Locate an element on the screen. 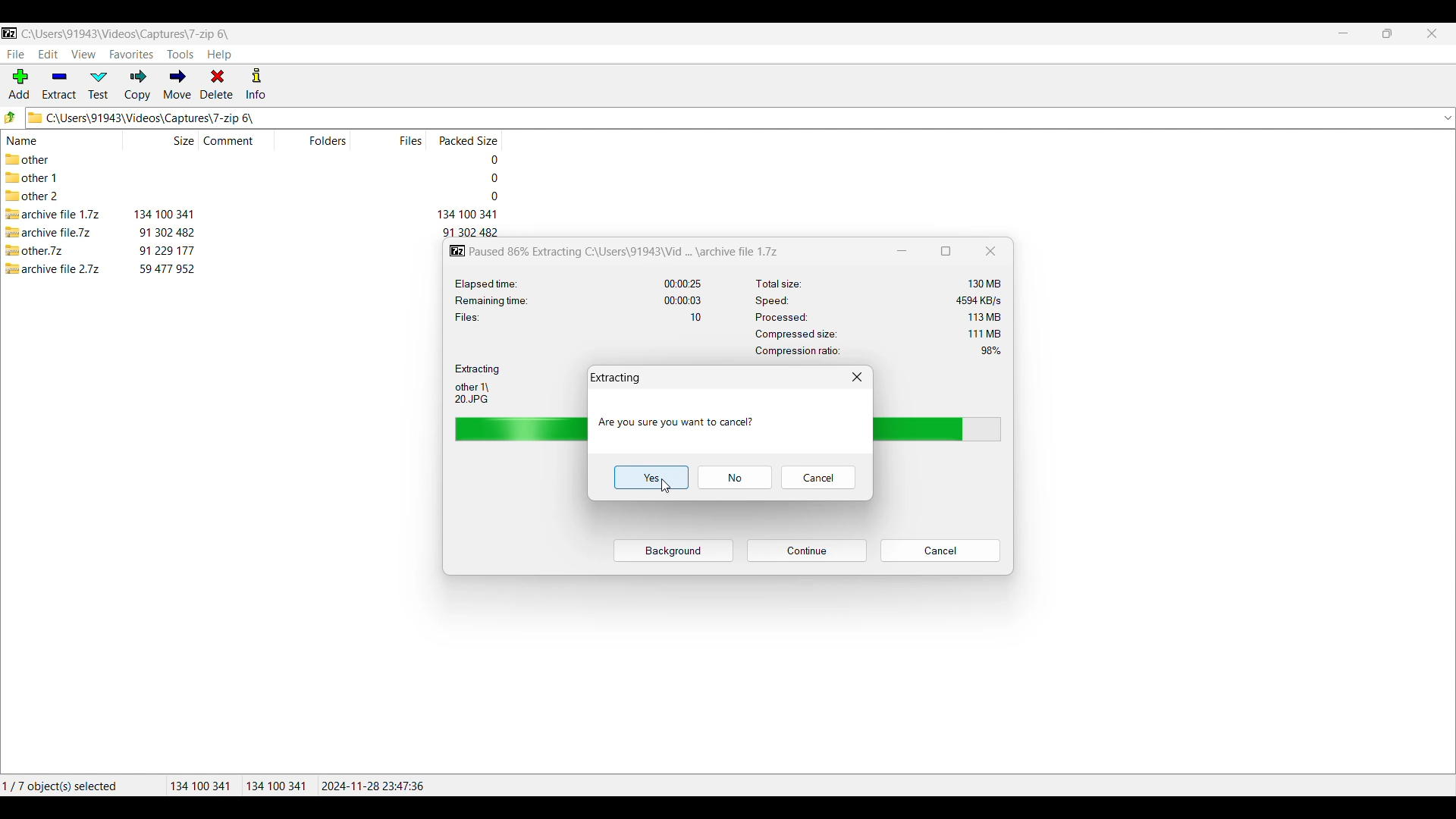  2024-11-28 23:47:36 is located at coordinates (376, 786).